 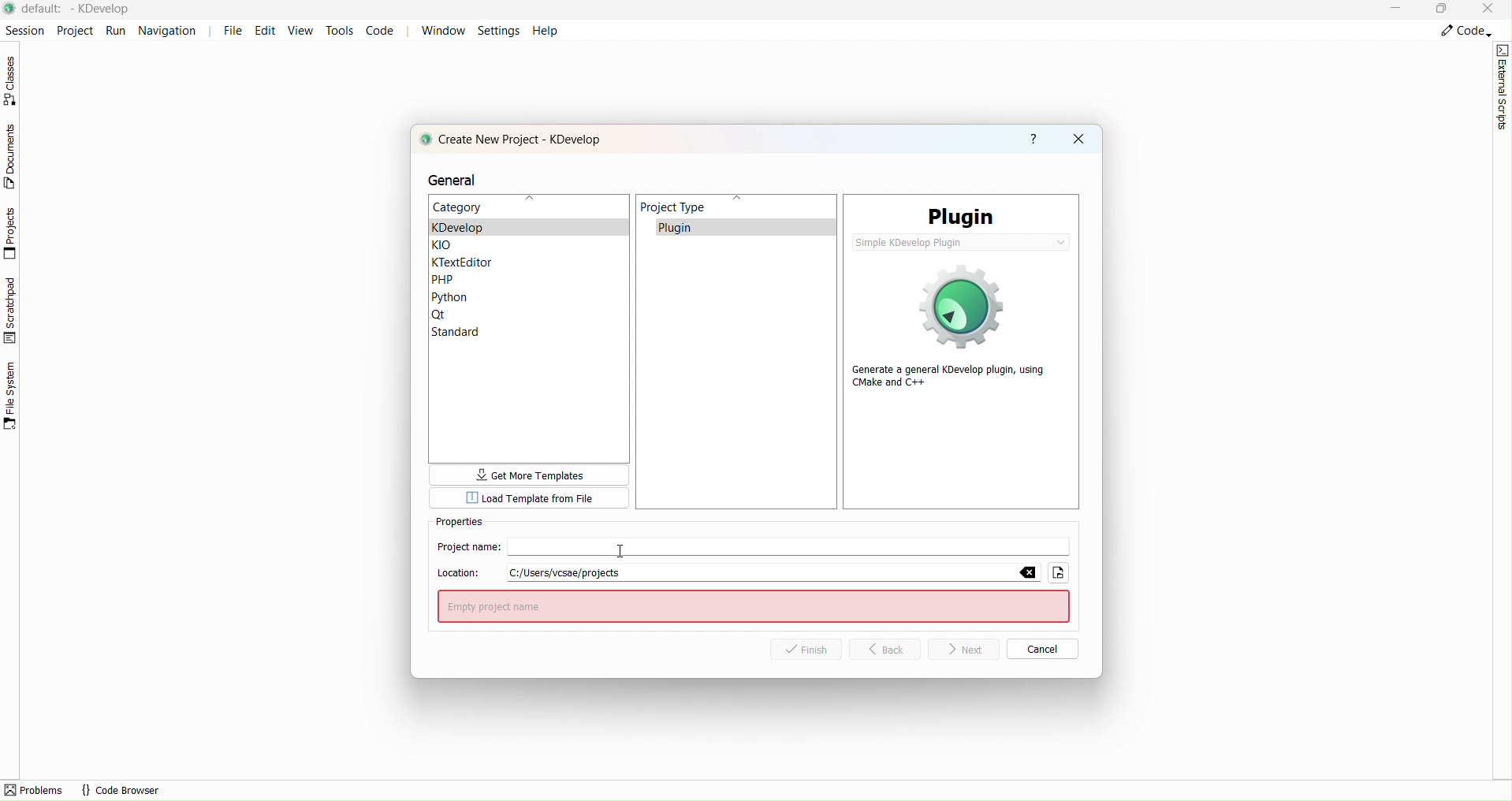 What do you see at coordinates (172, 30) in the screenshot?
I see `Navigation` at bounding box center [172, 30].